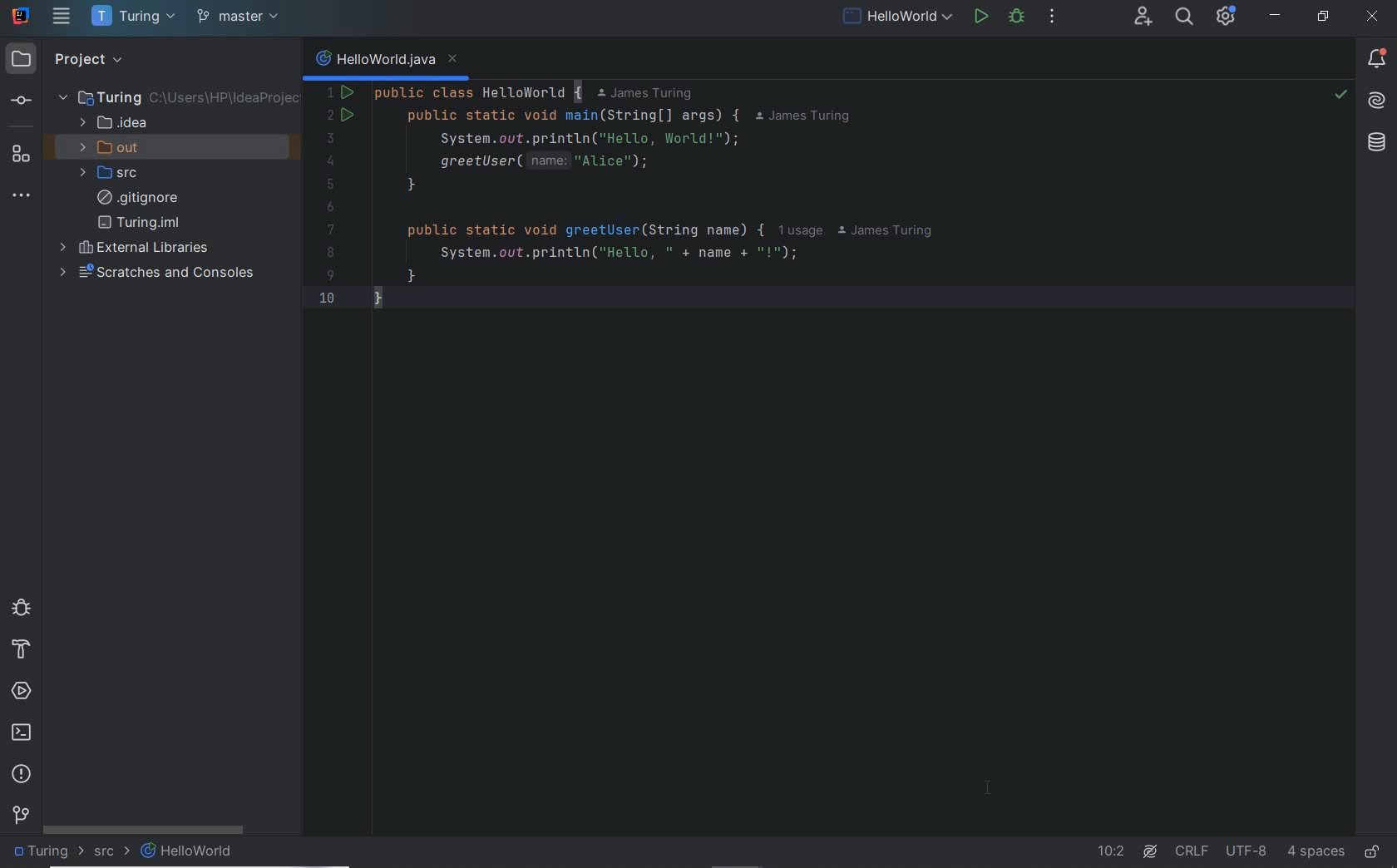  What do you see at coordinates (1244, 852) in the screenshot?
I see `UTF-8(FILE ENCODING)` at bounding box center [1244, 852].